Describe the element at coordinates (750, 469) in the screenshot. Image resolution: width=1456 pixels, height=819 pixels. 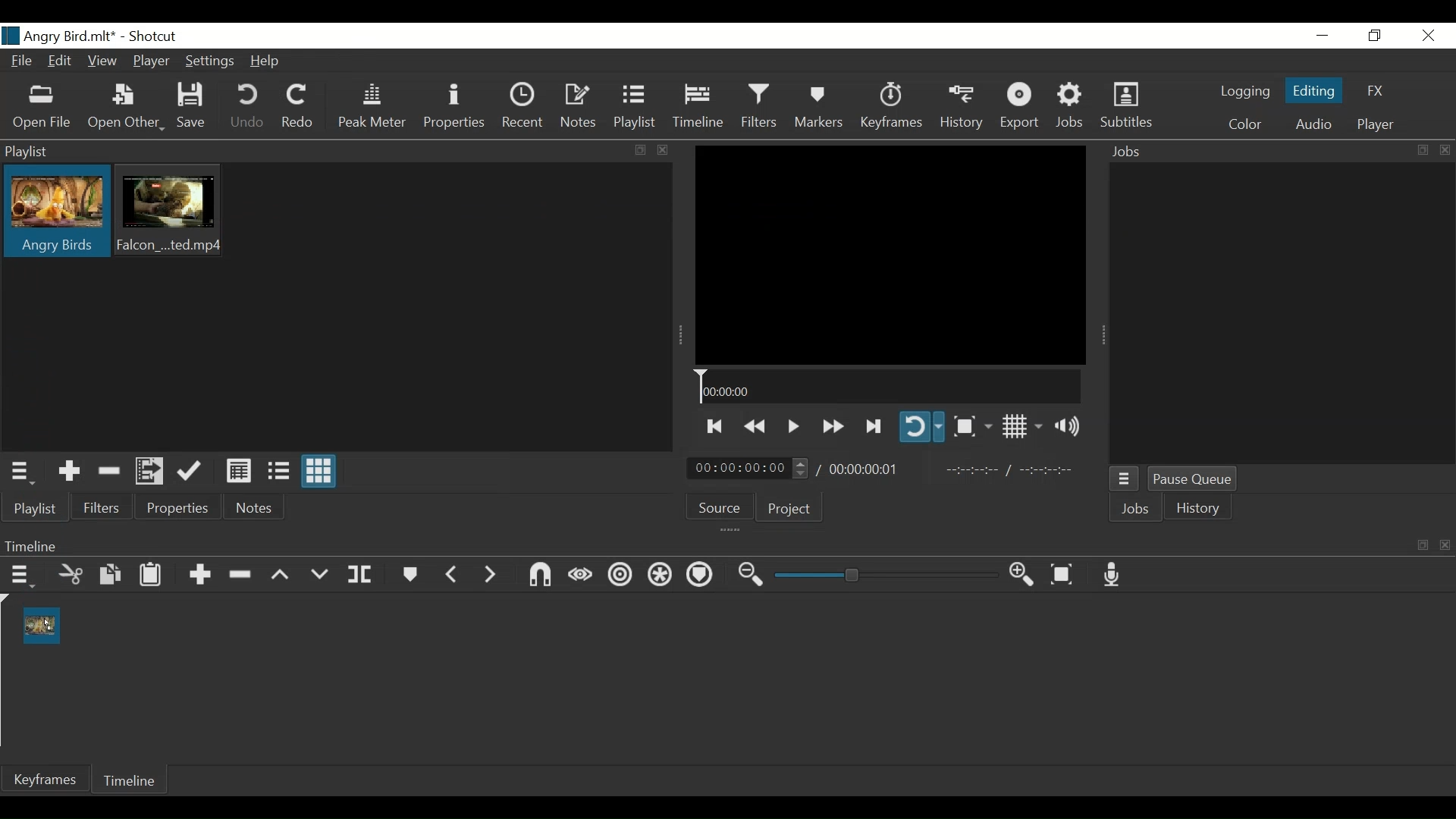
I see `Current position` at that location.